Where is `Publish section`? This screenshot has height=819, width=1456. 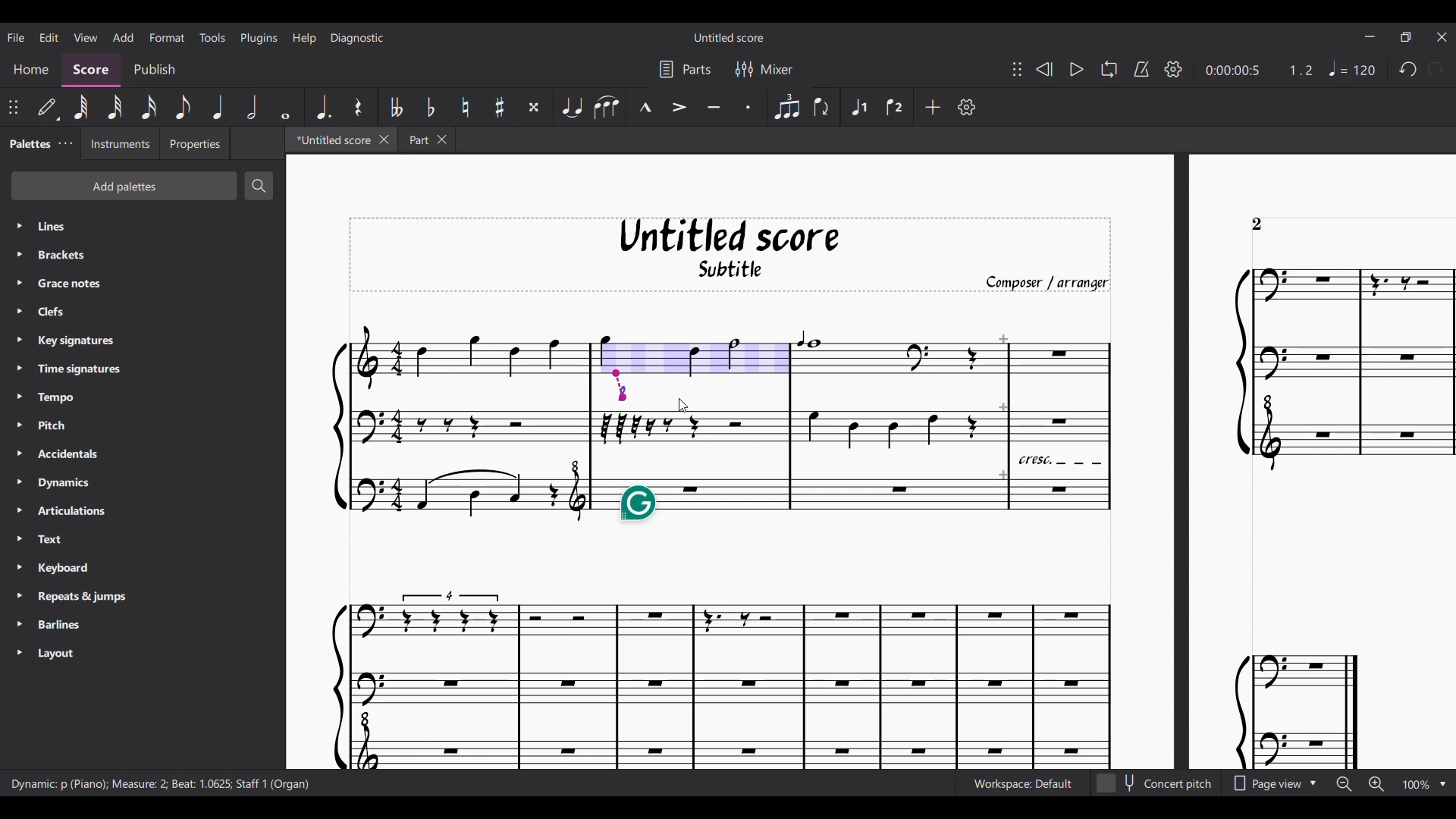 Publish section is located at coordinates (153, 70).